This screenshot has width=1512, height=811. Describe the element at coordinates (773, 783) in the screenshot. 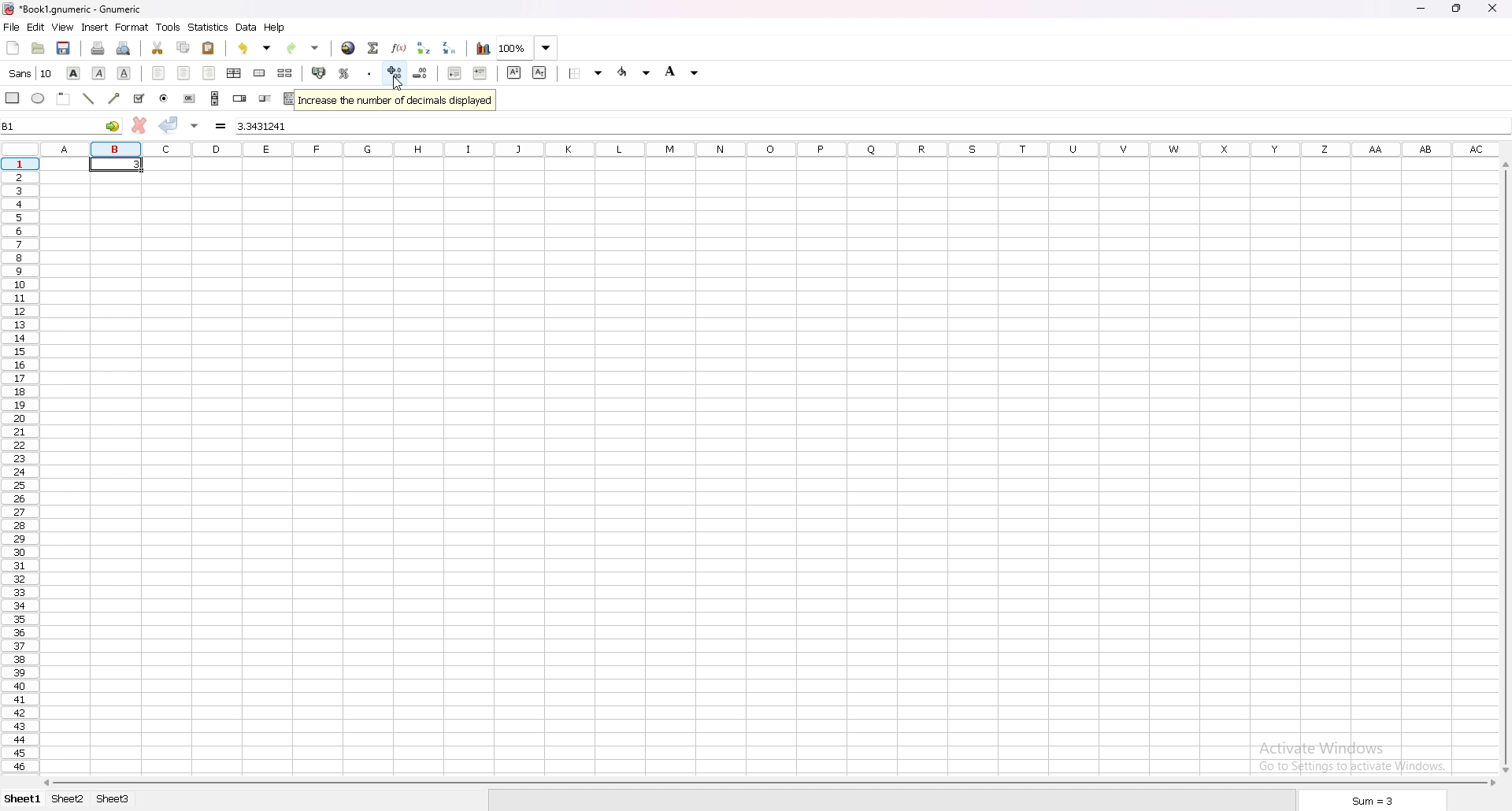

I see `scroll bar` at that location.